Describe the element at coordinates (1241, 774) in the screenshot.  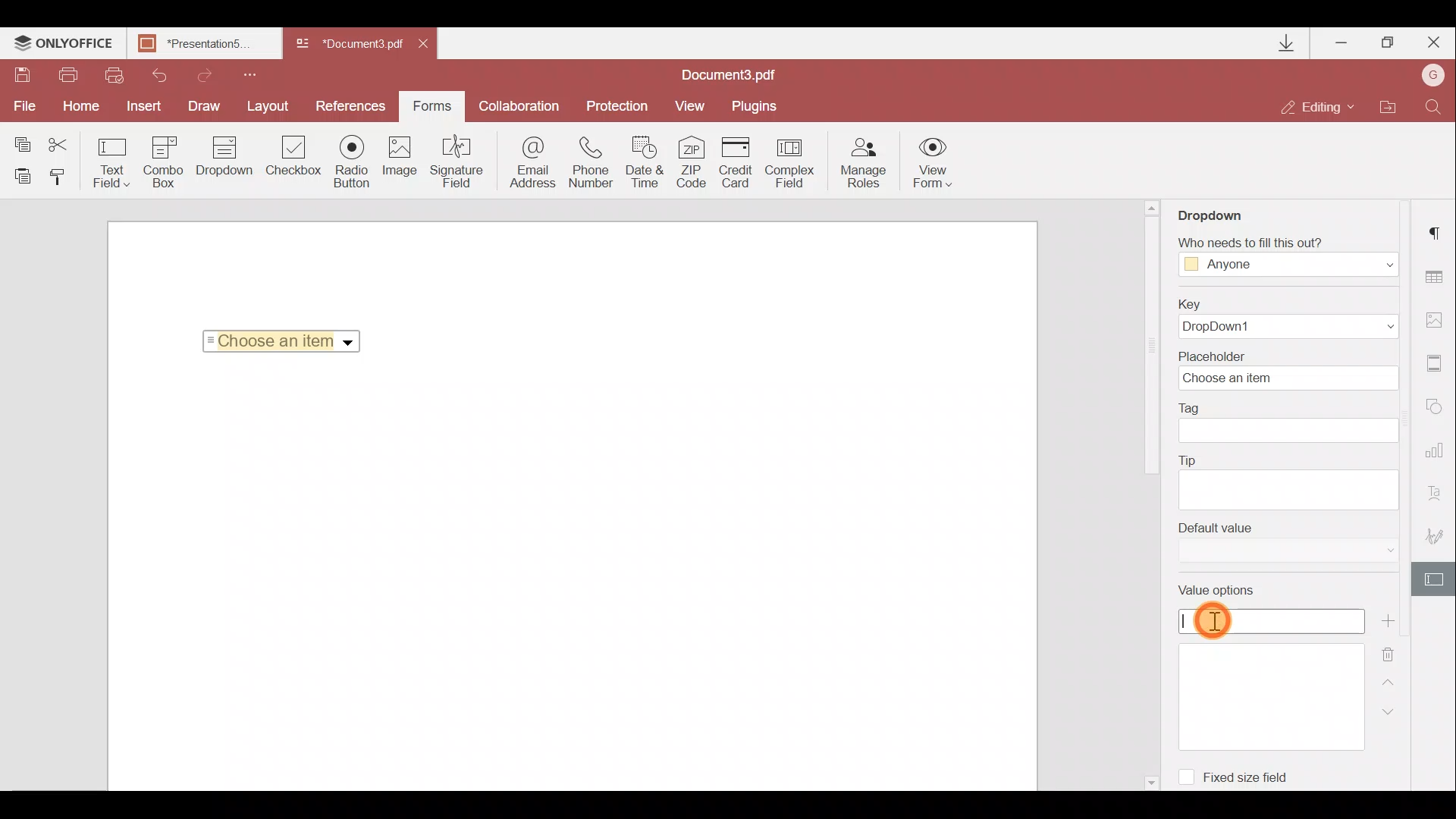
I see `Fixed size field` at that location.